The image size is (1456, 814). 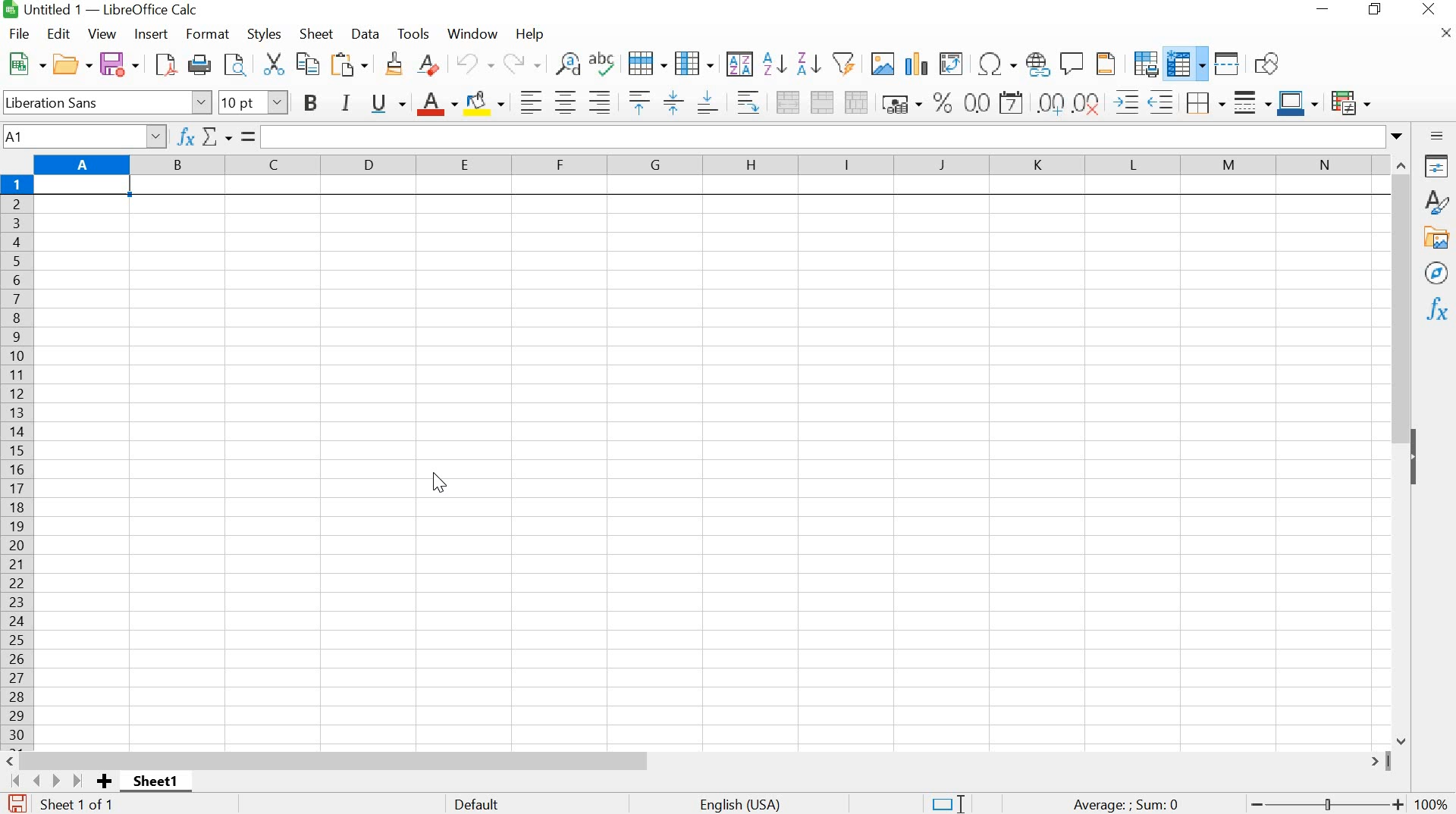 I want to click on FORMAT AS PERCENT, so click(x=943, y=102).